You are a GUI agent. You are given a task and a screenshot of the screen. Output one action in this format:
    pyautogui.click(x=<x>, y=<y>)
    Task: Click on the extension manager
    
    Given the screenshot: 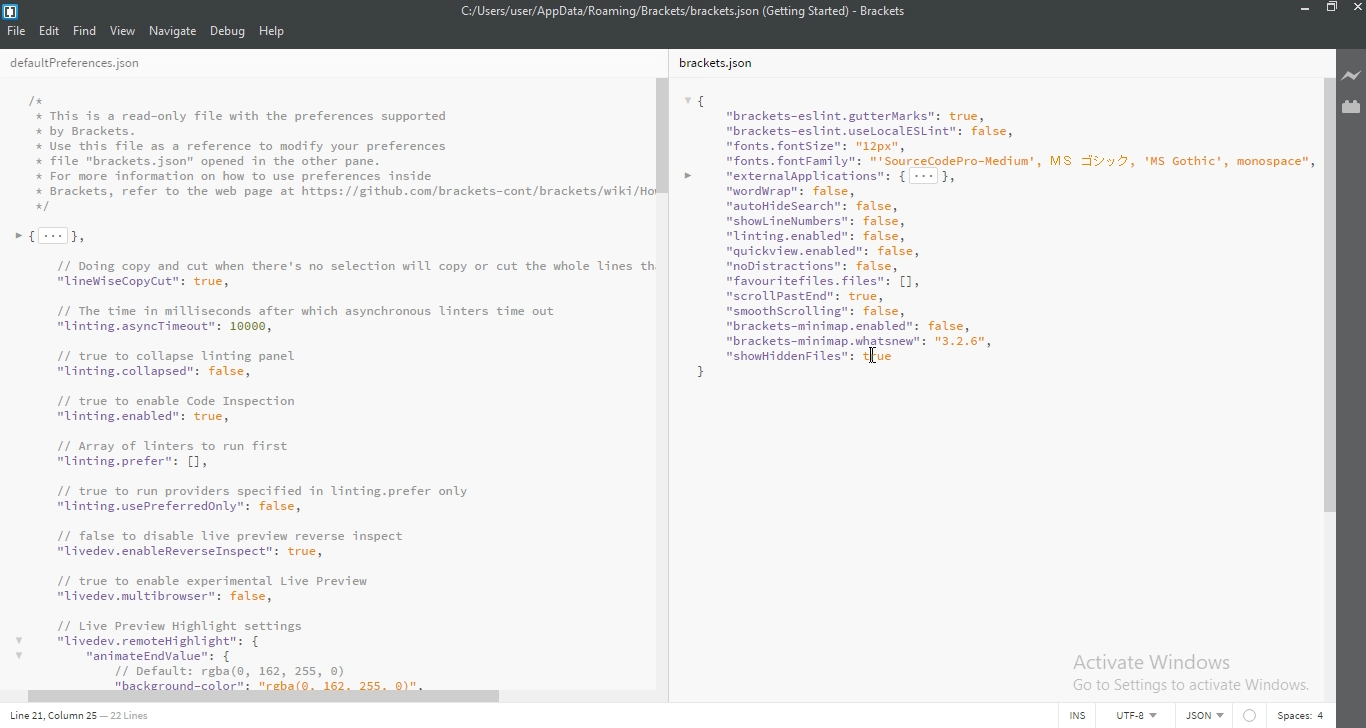 What is the action you would take?
    pyautogui.click(x=1351, y=105)
    